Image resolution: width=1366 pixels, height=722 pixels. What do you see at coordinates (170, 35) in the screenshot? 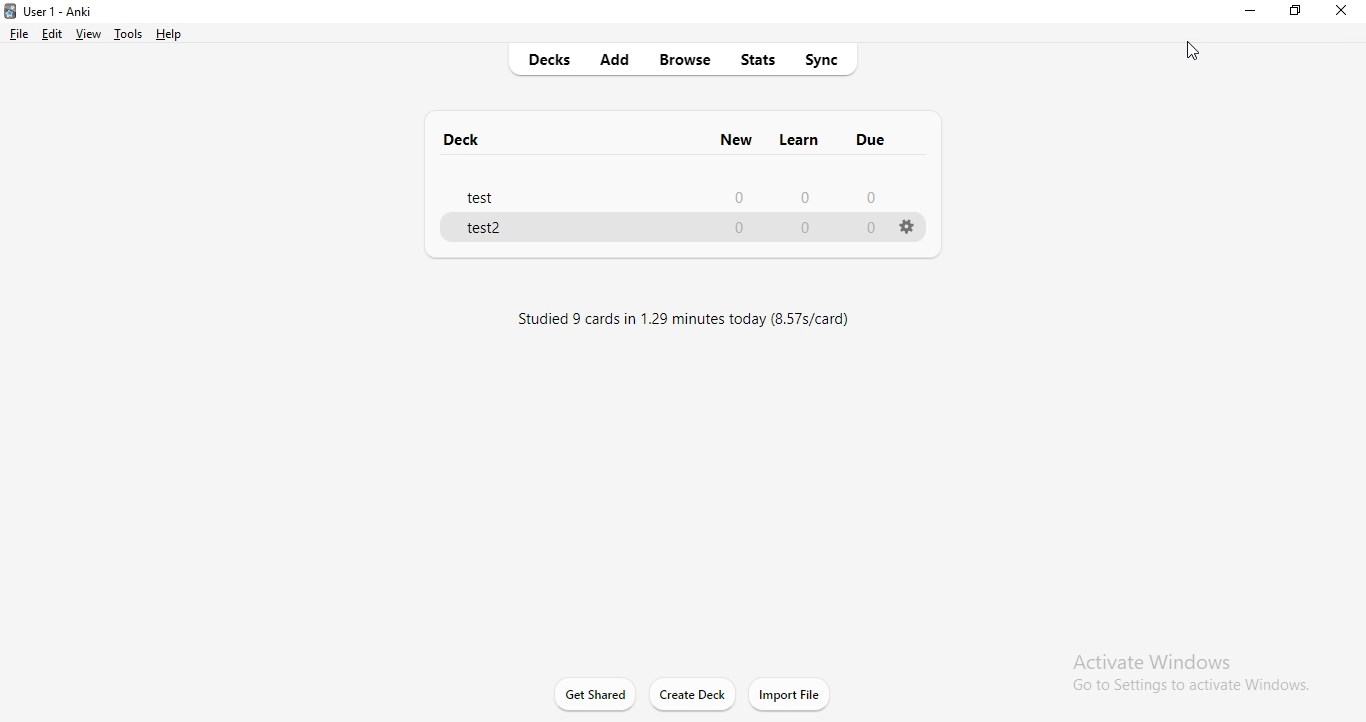
I see `help` at bounding box center [170, 35].